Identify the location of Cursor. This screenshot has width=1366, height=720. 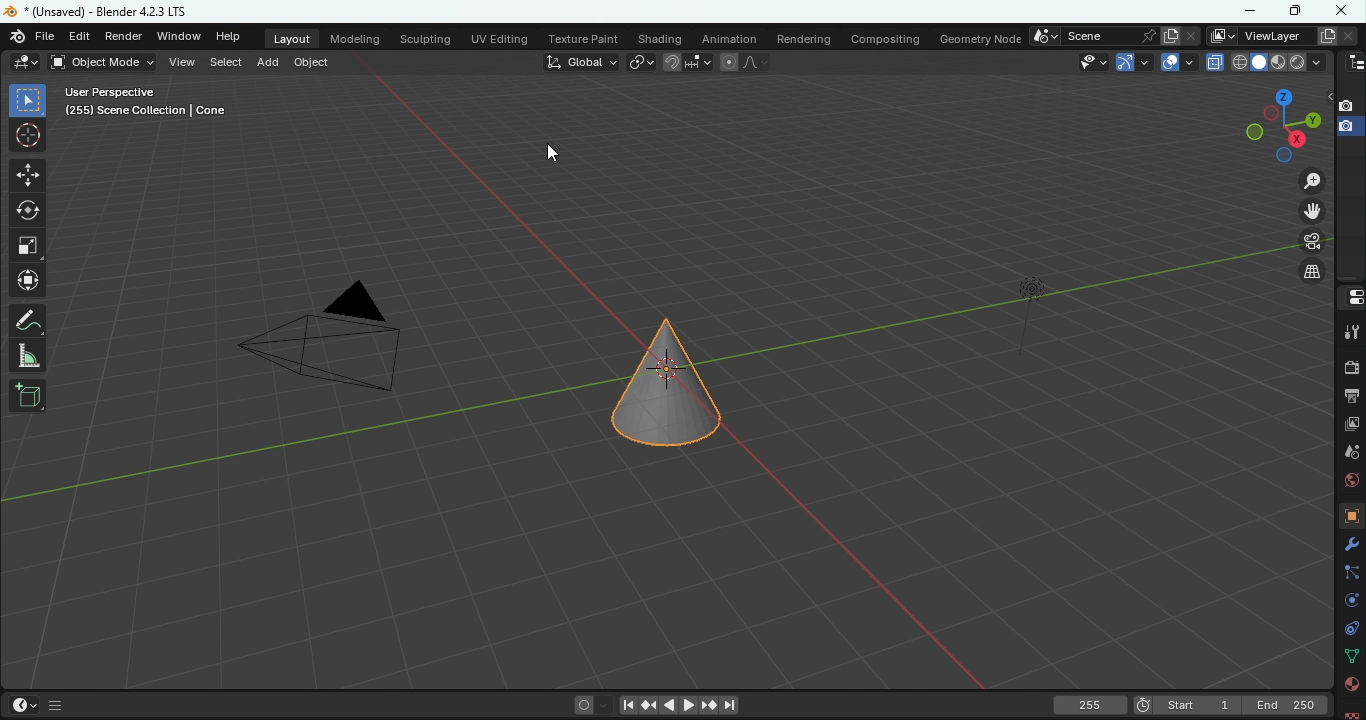
(550, 152).